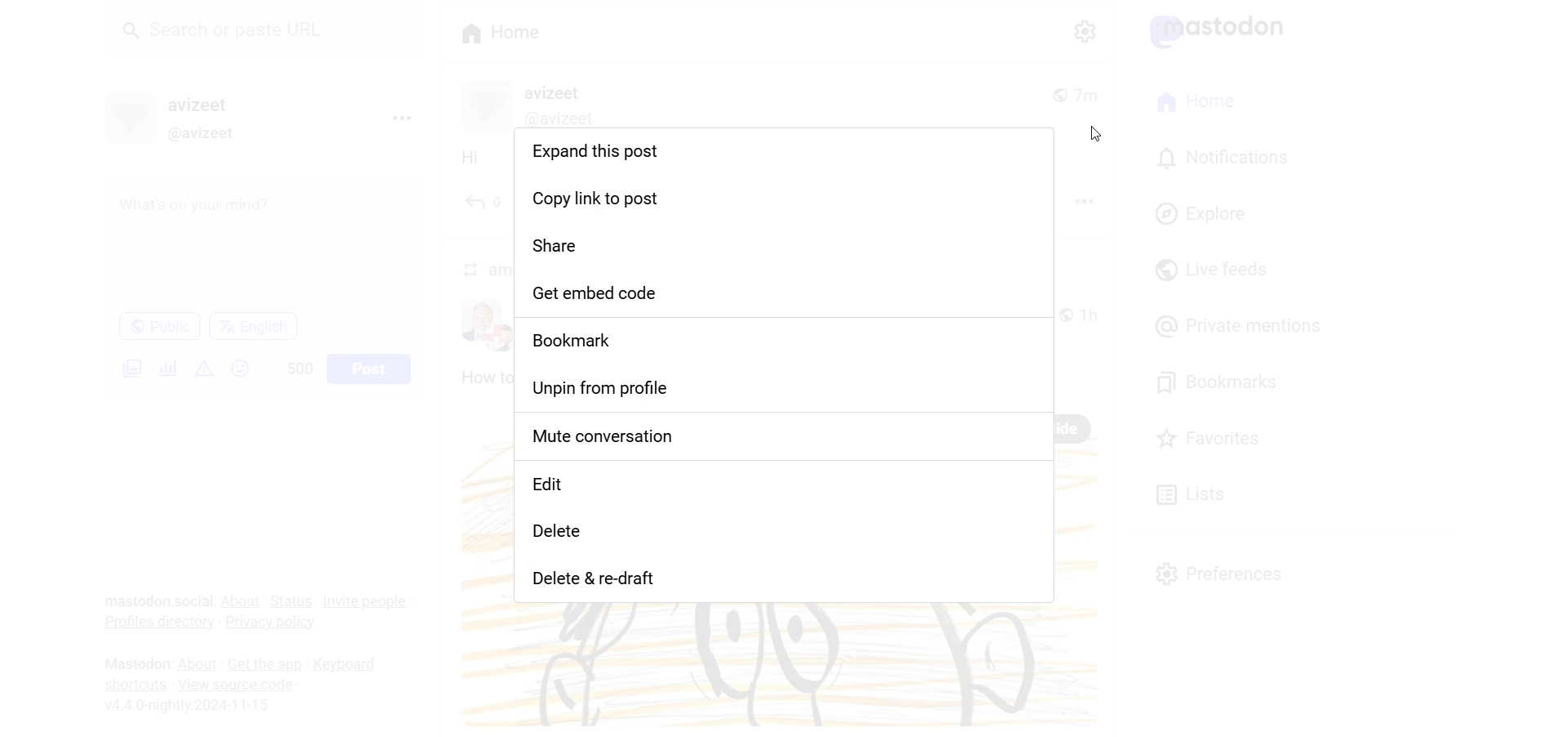 This screenshot has height=737, width=1568. I want to click on Bookmarks, so click(1221, 380).